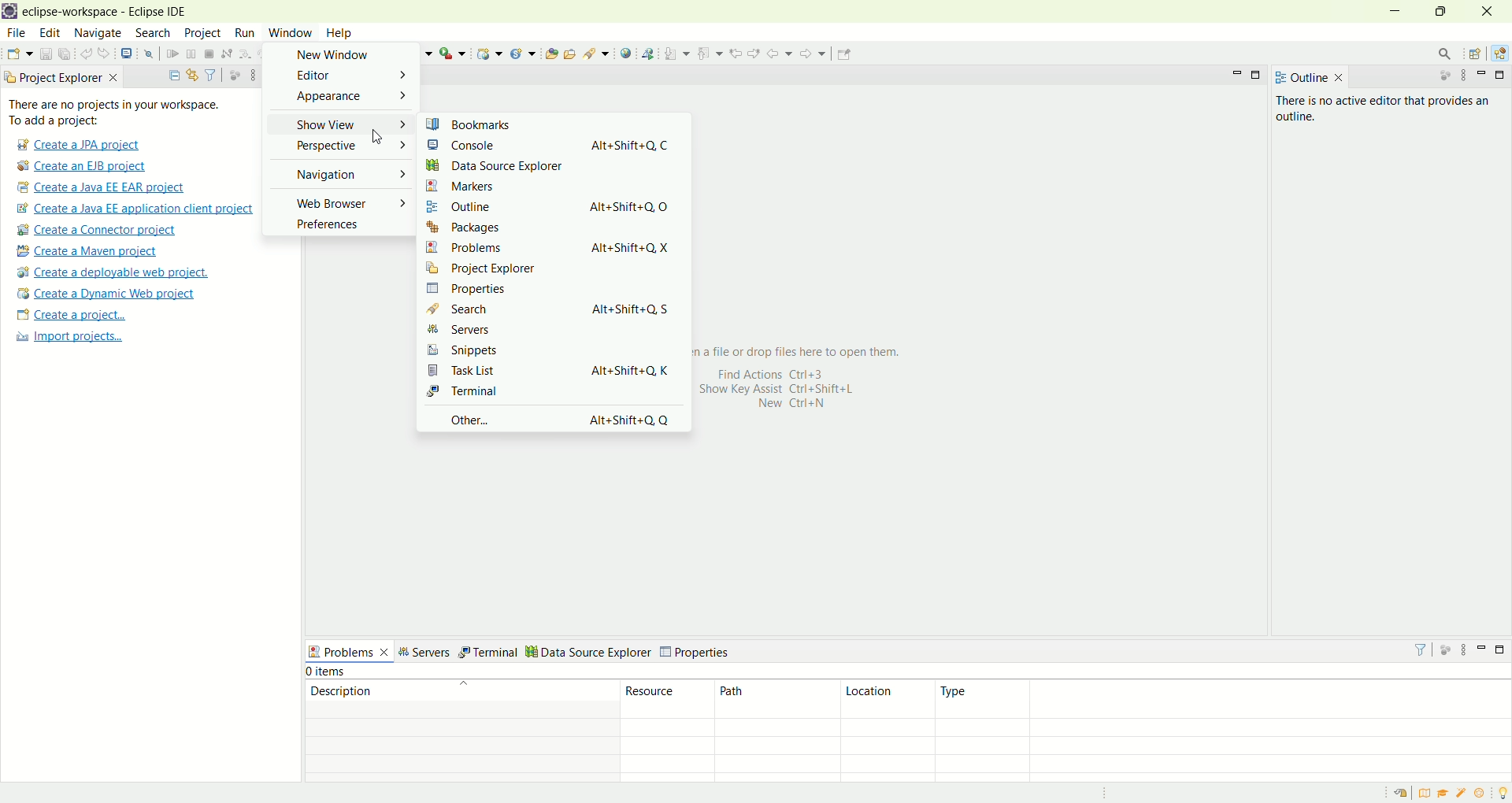 The image size is (1512, 803). What do you see at coordinates (491, 394) in the screenshot?
I see `terminal` at bounding box center [491, 394].